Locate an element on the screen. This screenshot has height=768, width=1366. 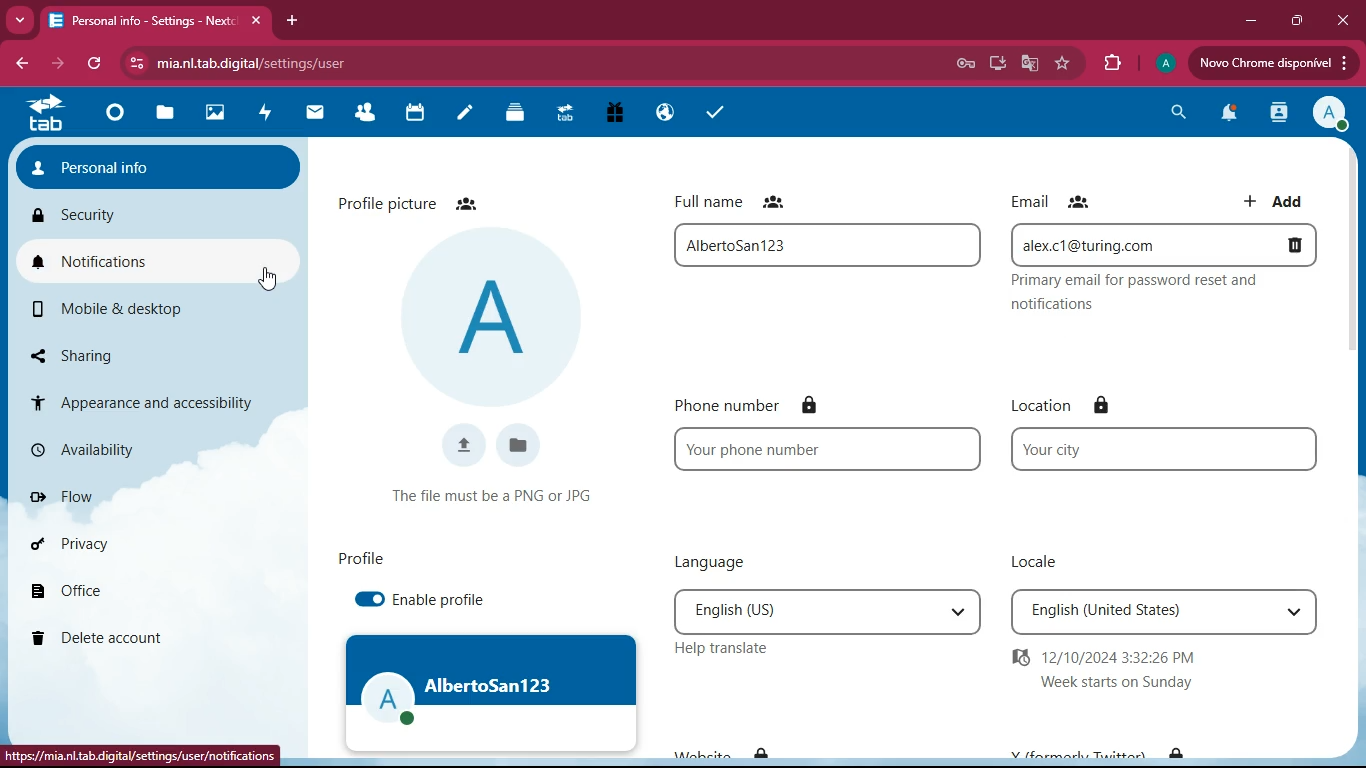
email is located at coordinates (1058, 202).